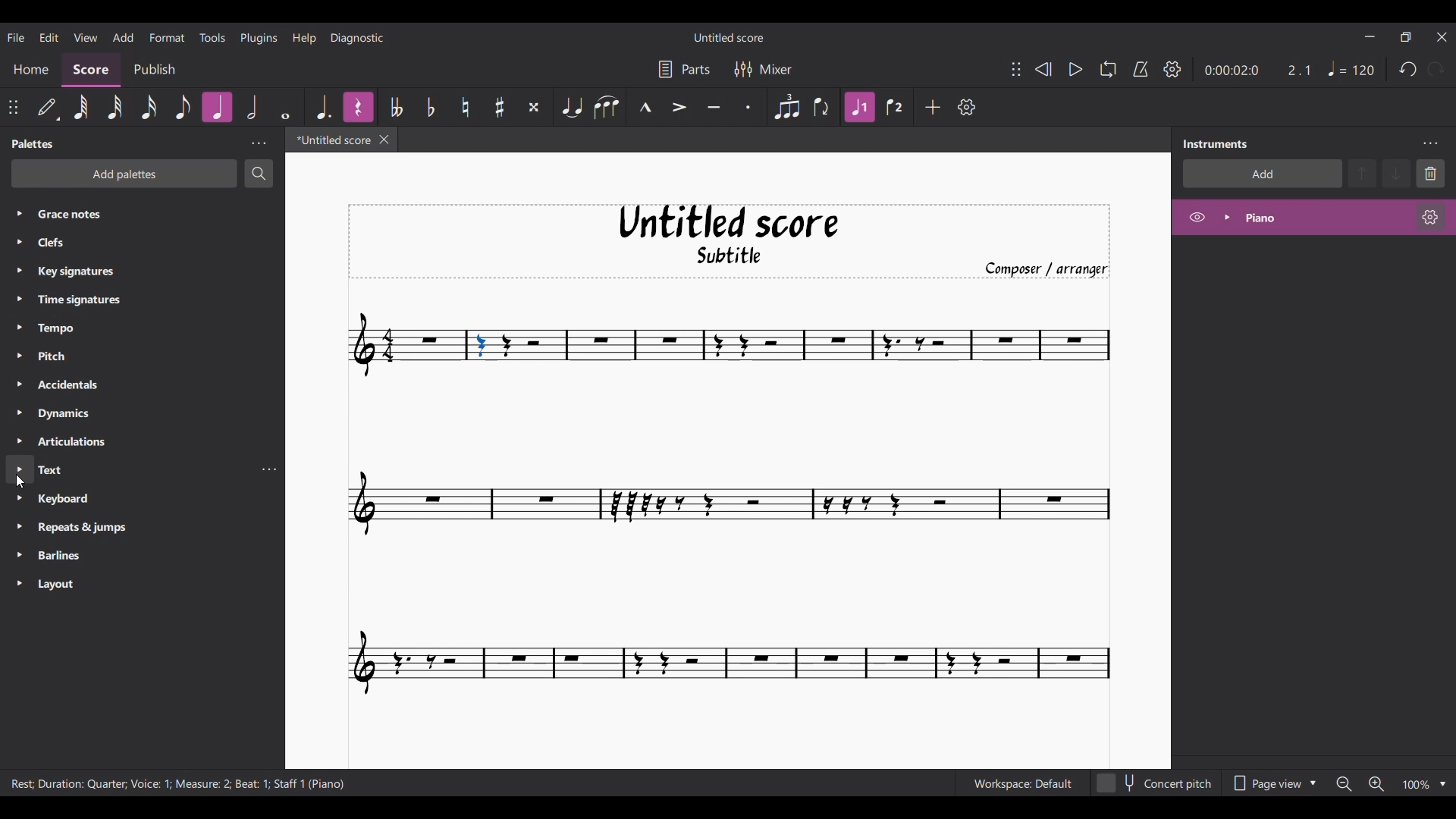  Describe the element at coordinates (16, 37) in the screenshot. I see `File menu` at that location.